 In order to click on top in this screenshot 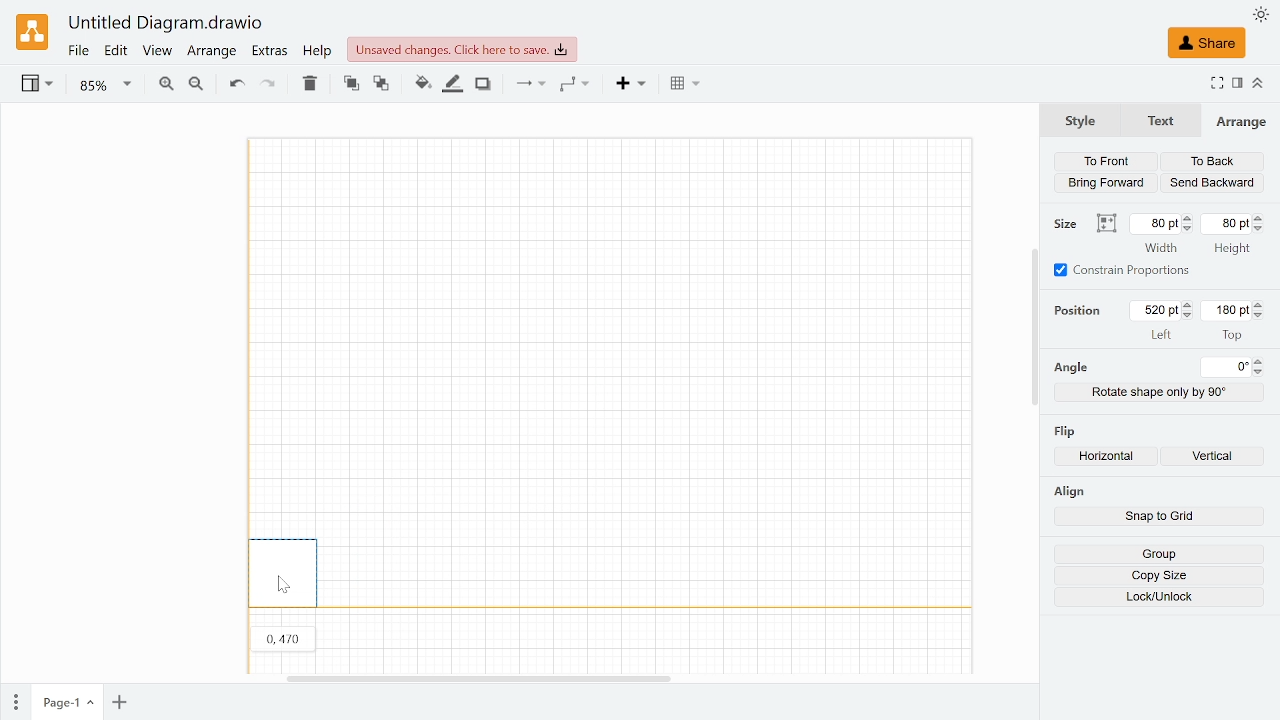, I will do `click(1232, 334)`.